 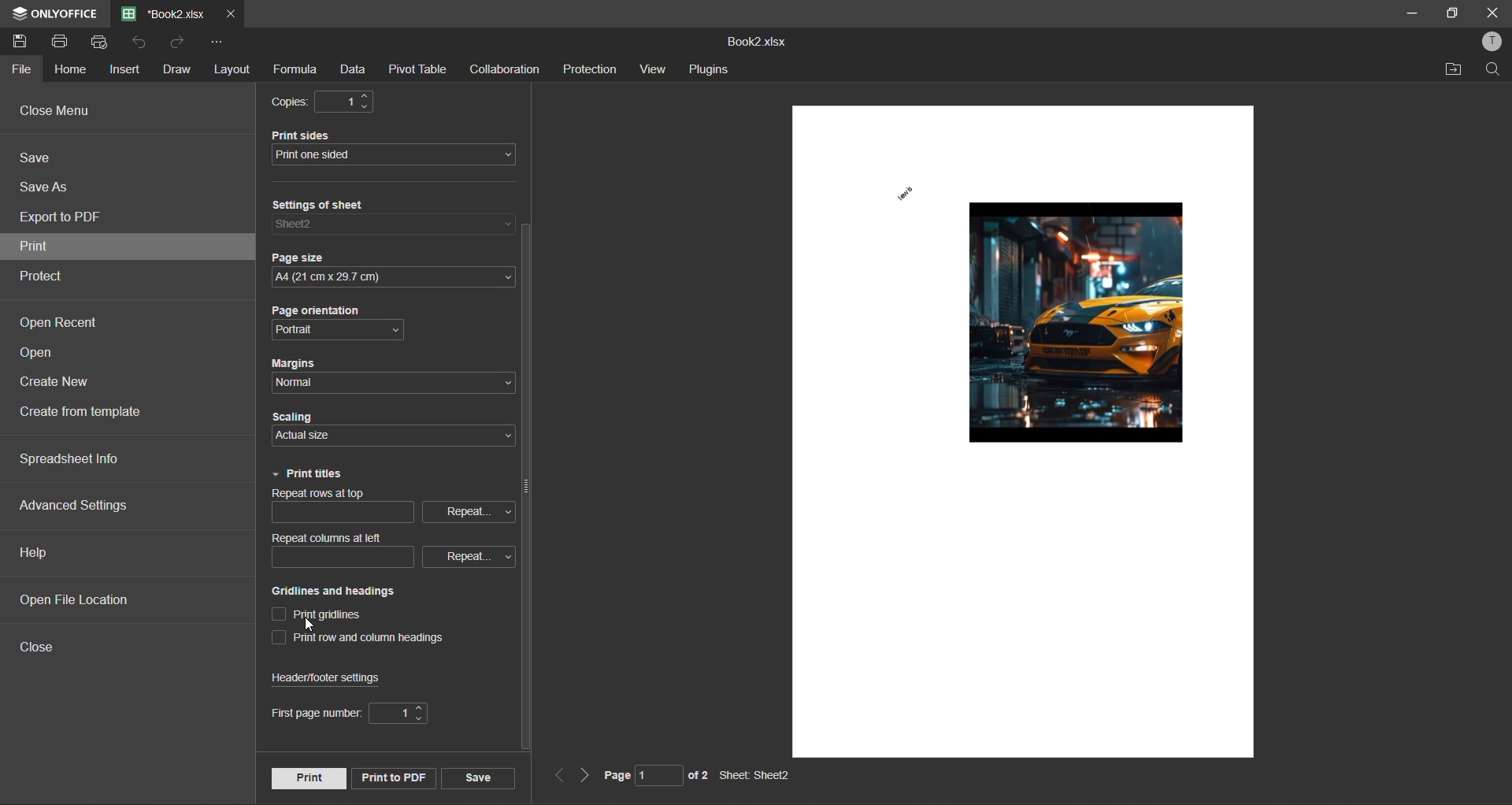 What do you see at coordinates (467, 510) in the screenshot?
I see `repeat` at bounding box center [467, 510].